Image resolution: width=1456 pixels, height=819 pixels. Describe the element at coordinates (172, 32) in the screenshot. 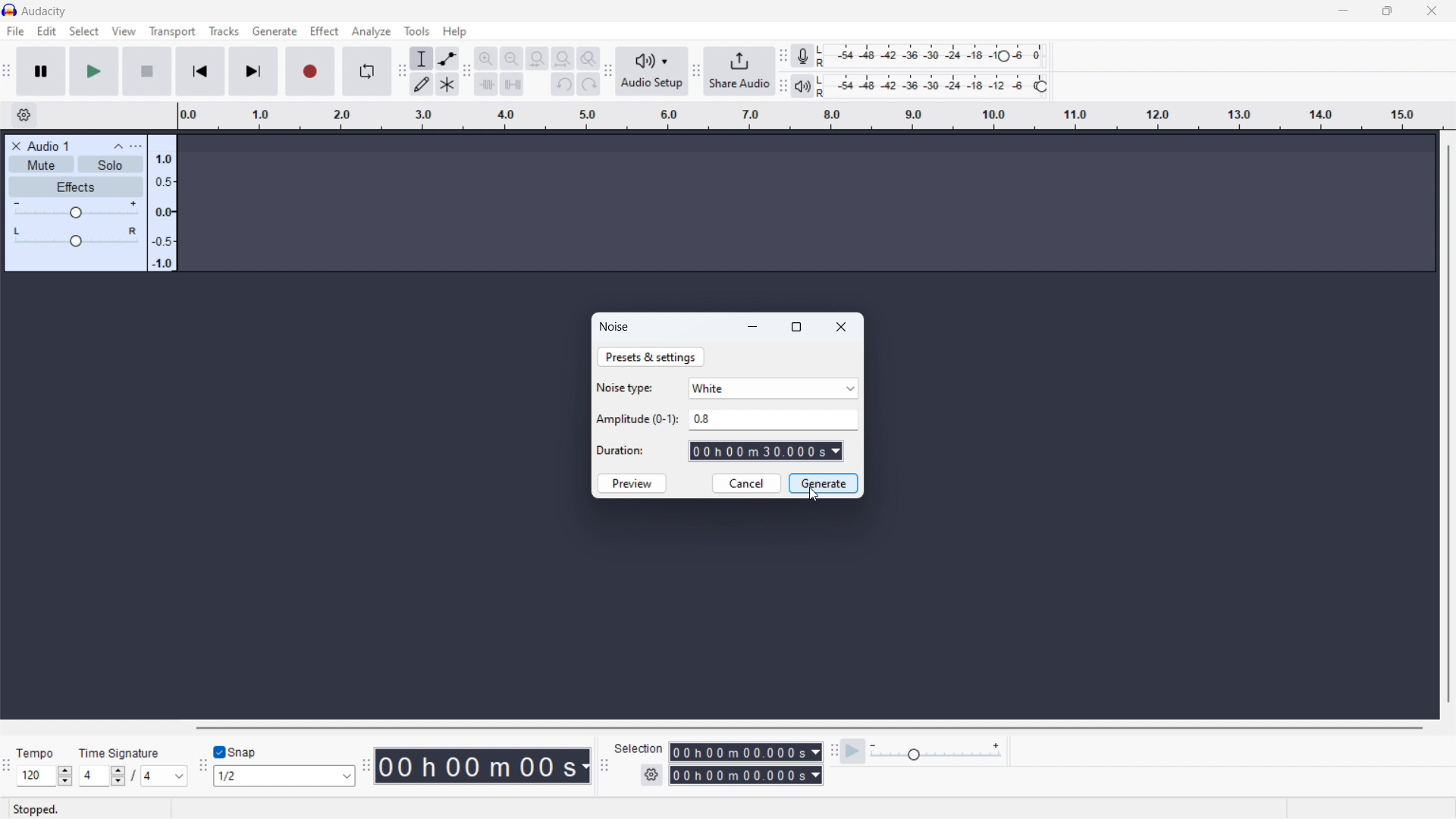

I see `transport` at that location.